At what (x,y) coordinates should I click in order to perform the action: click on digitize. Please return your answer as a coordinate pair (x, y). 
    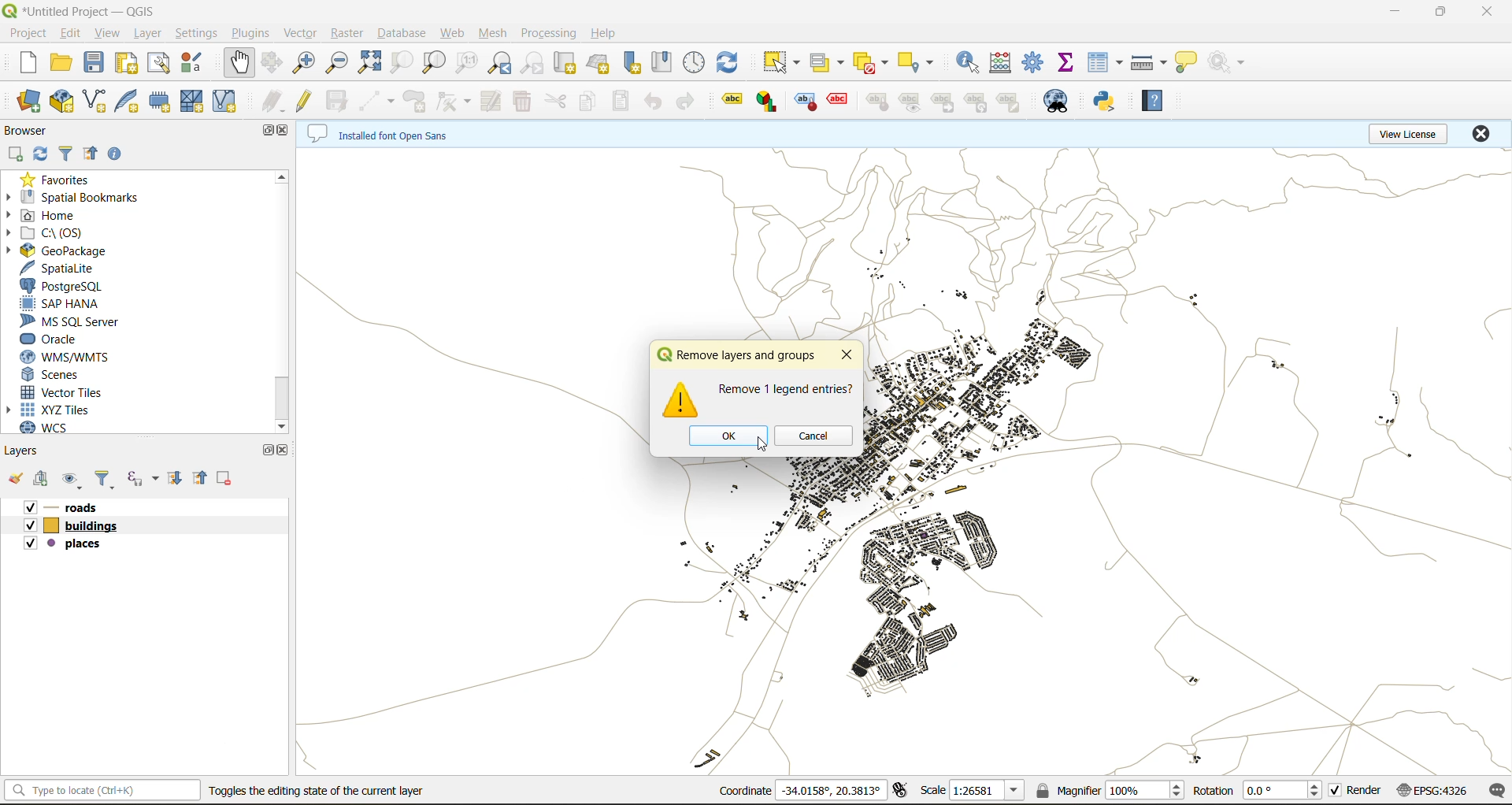
    Looking at the image, I should click on (378, 99).